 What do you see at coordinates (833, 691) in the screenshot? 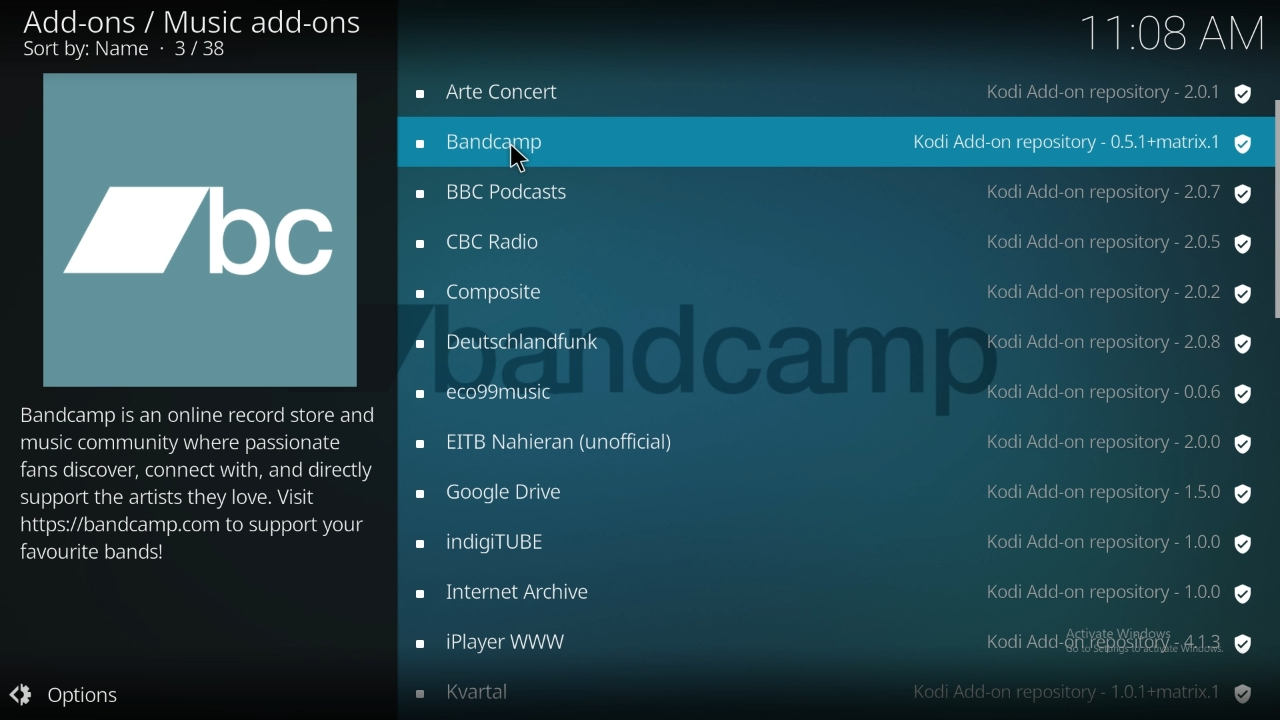
I see `add on` at bounding box center [833, 691].